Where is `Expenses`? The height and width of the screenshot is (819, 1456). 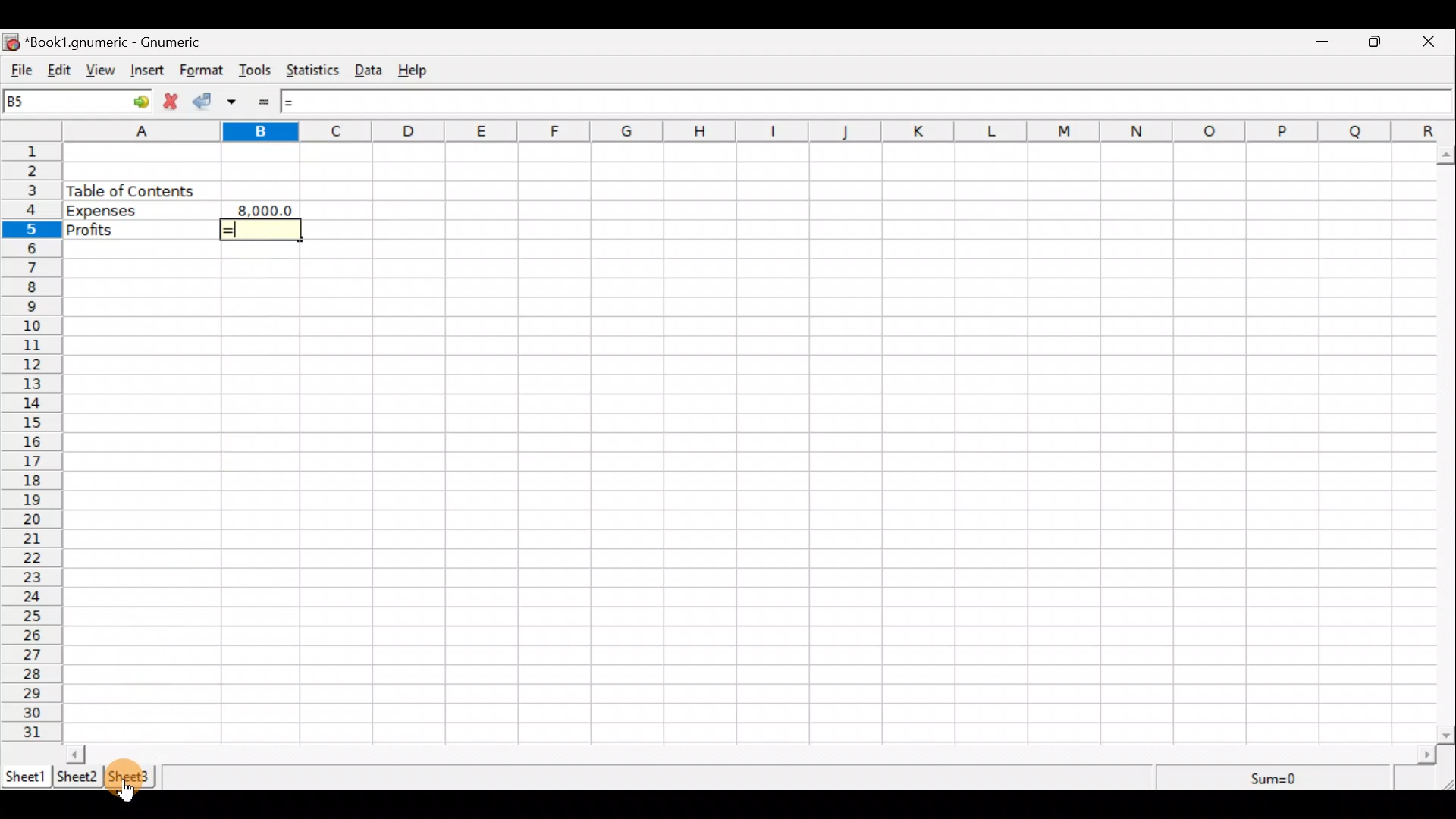 Expenses is located at coordinates (140, 211).